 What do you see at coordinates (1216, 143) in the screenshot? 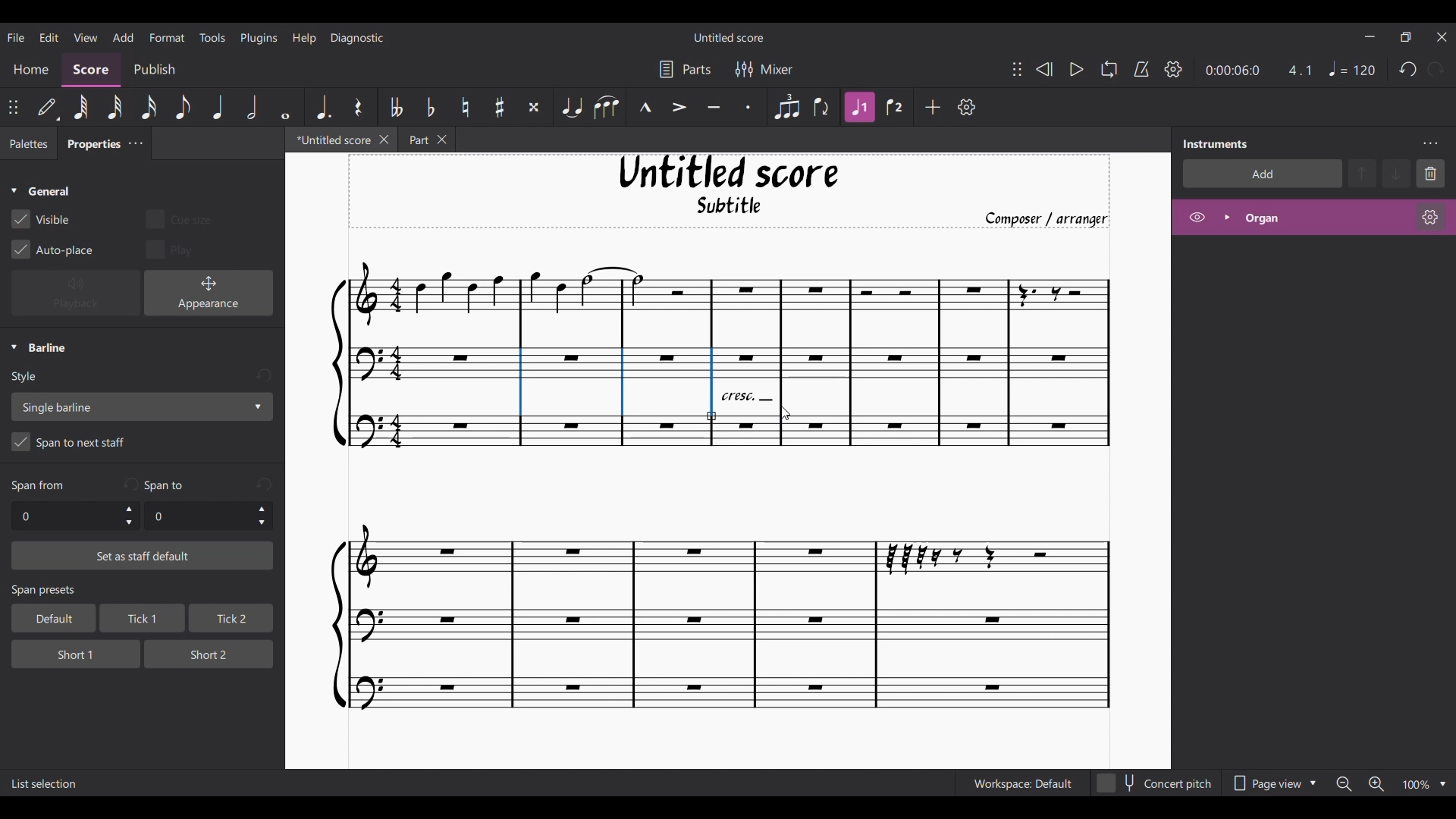
I see `Panel title` at bounding box center [1216, 143].